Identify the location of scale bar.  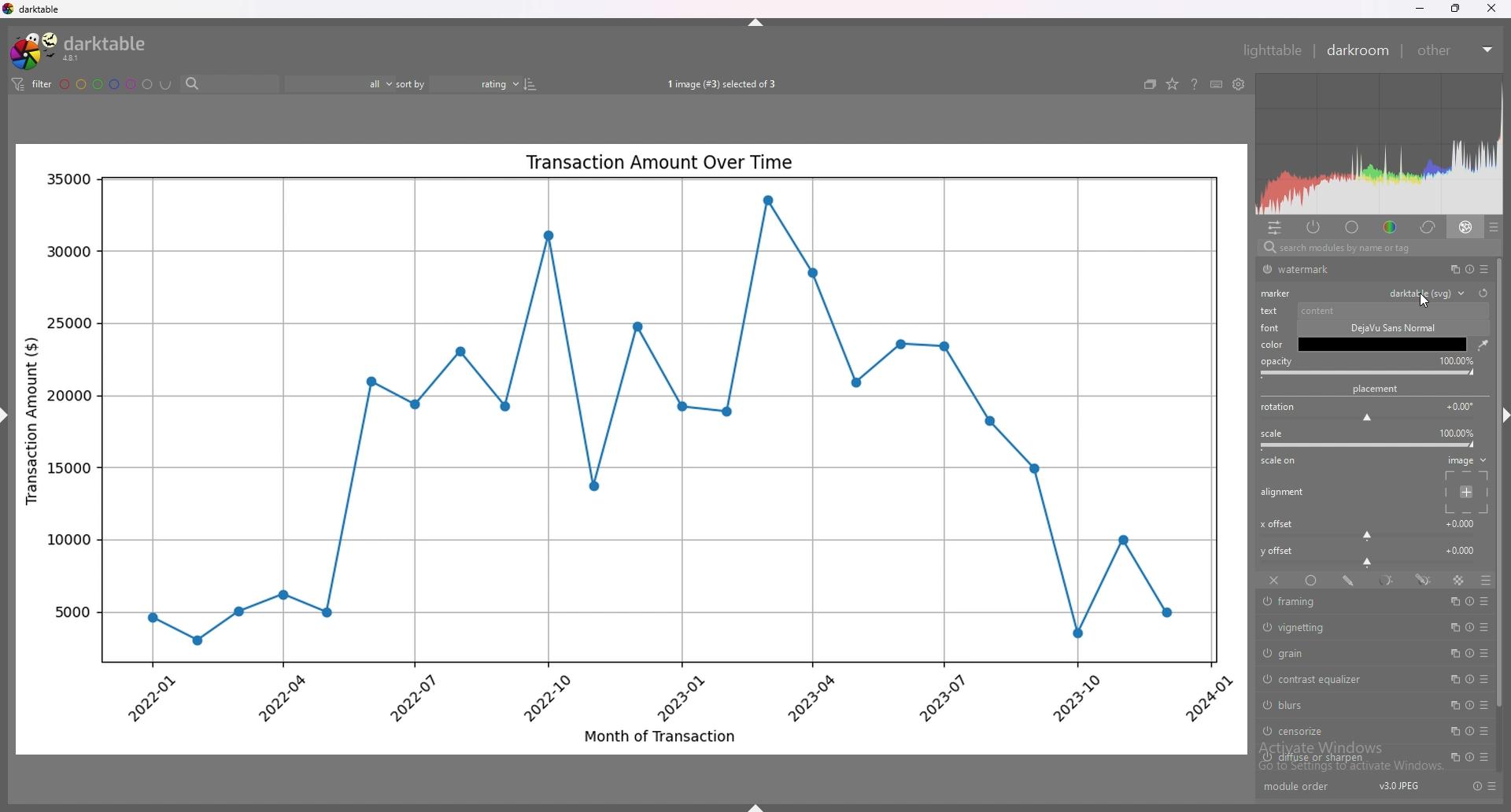
(1369, 445).